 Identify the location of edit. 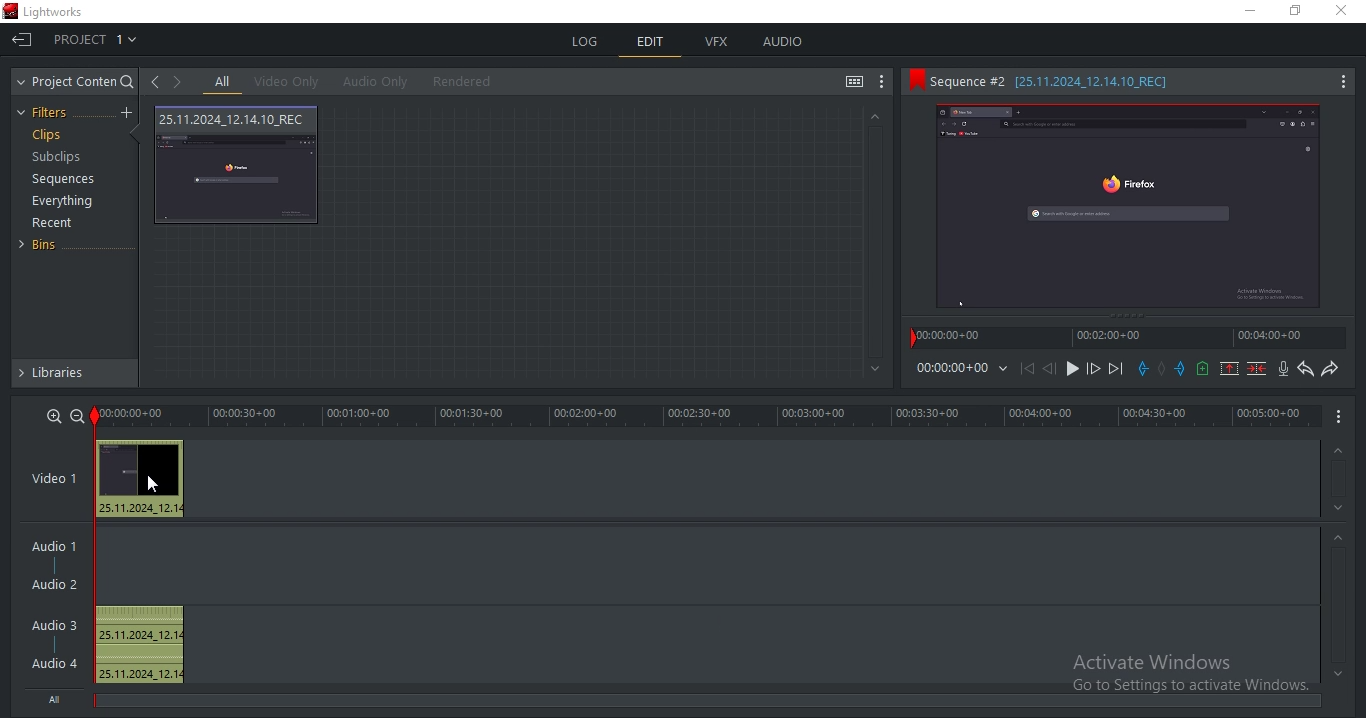
(651, 44).